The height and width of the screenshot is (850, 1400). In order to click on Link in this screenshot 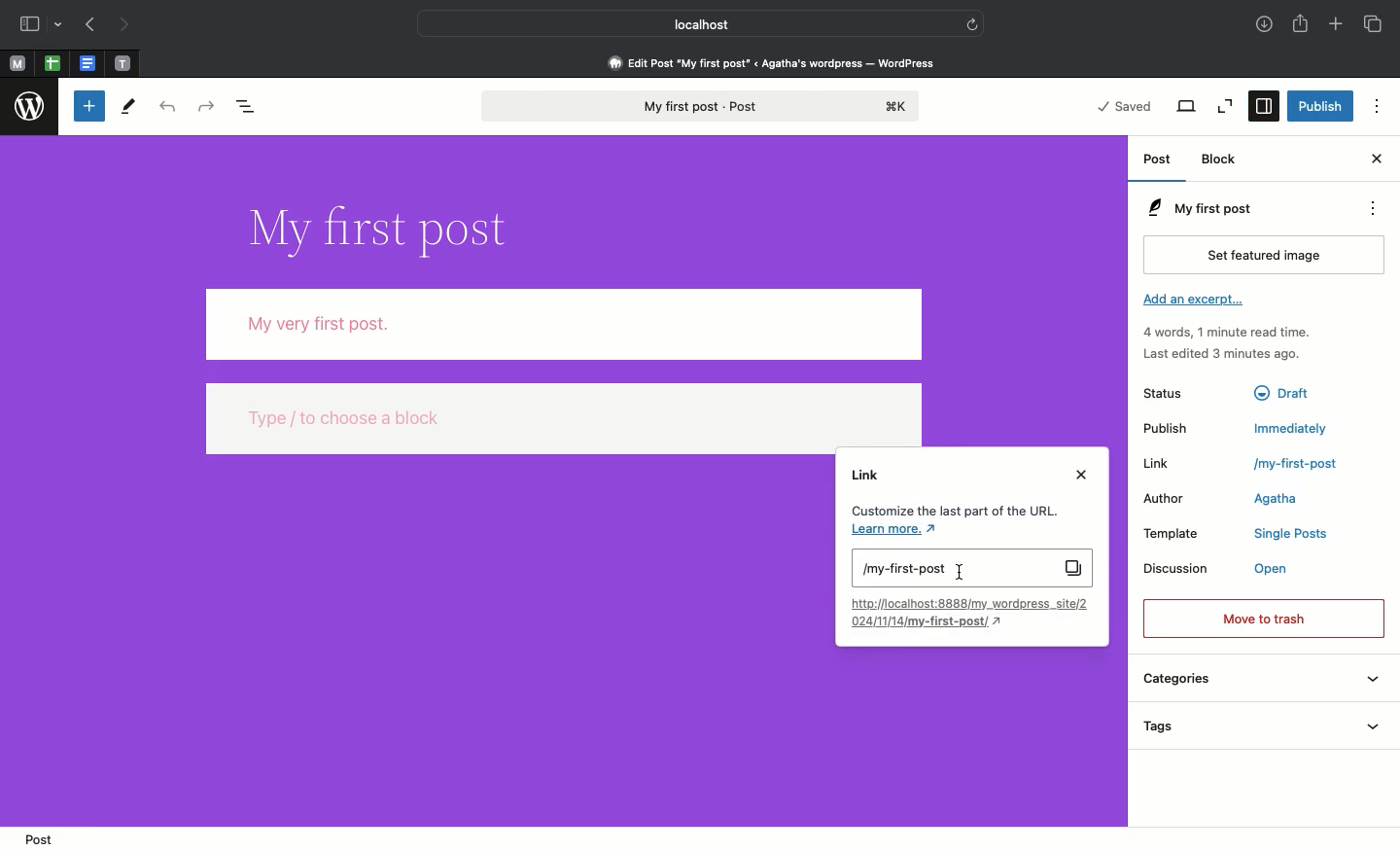, I will do `click(971, 614)`.